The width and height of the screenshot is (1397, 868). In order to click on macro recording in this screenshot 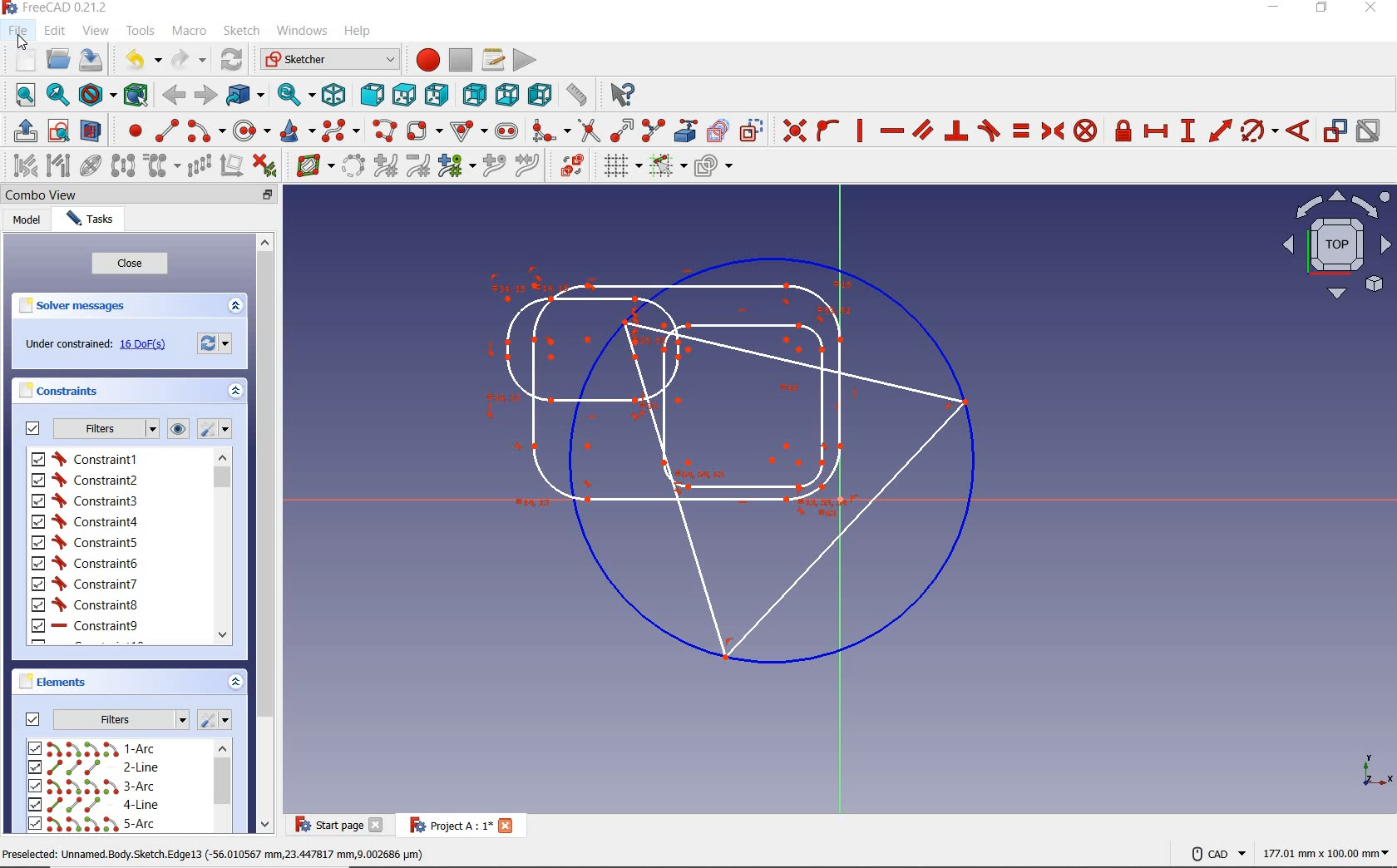, I will do `click(422, 59)`.